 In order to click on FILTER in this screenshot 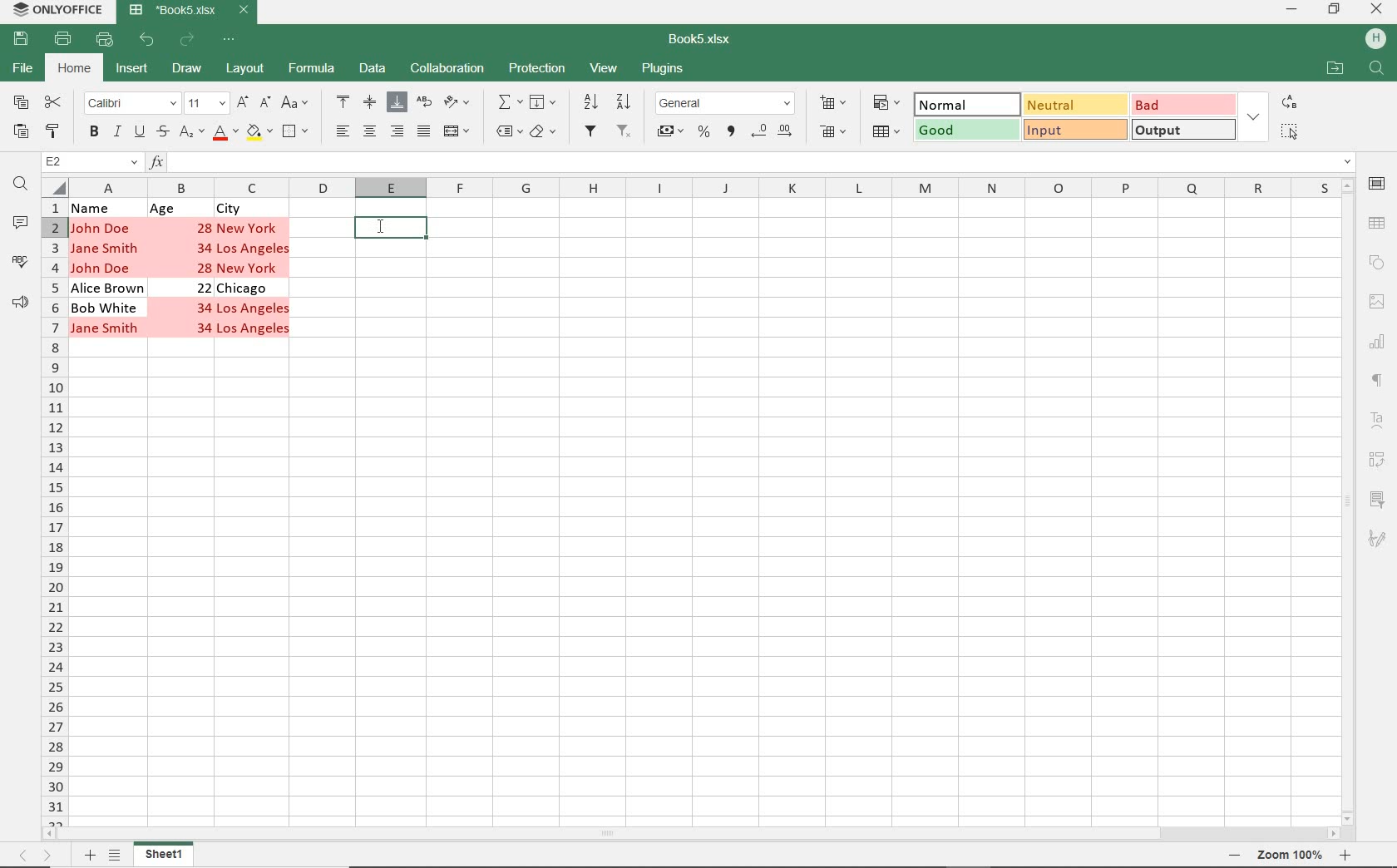, I will do `click(591, 132)`.